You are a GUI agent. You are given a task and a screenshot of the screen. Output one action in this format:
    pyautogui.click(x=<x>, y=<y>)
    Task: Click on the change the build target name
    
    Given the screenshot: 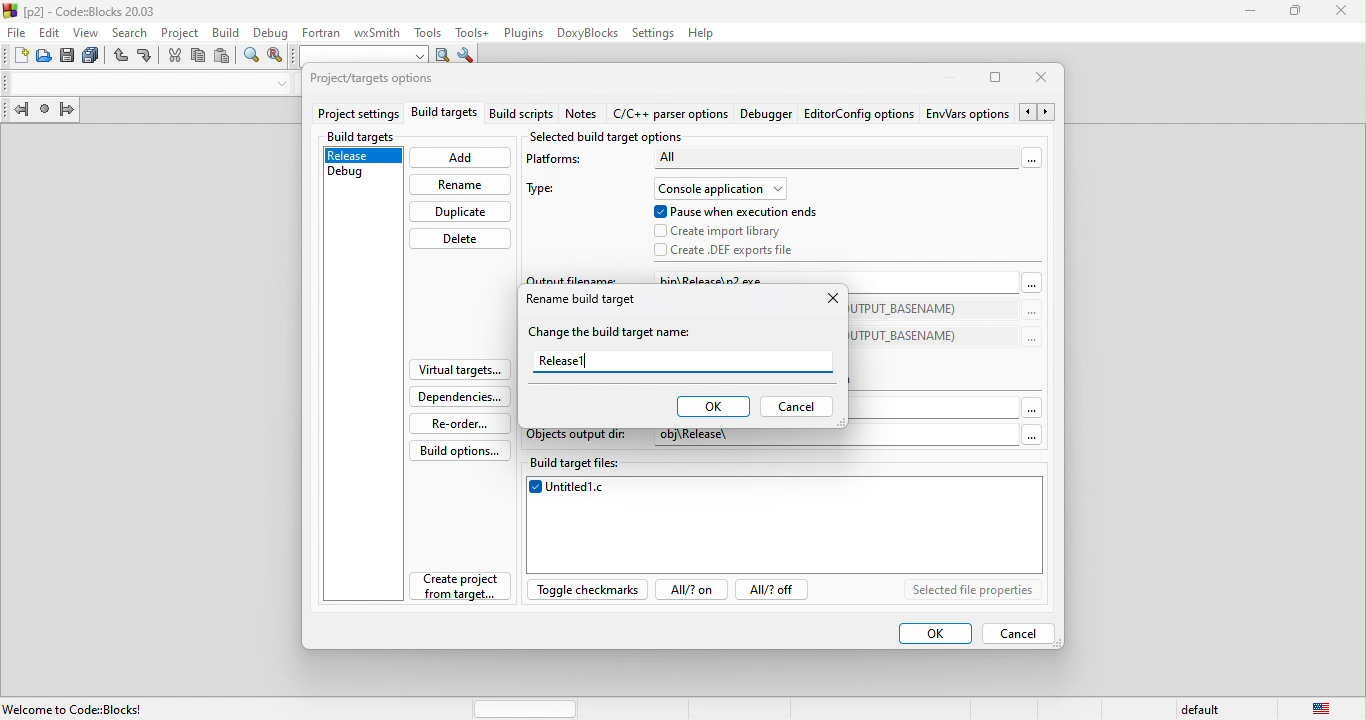 What is the action you would take?
    pyautogui.click(x=616, y=333)
    